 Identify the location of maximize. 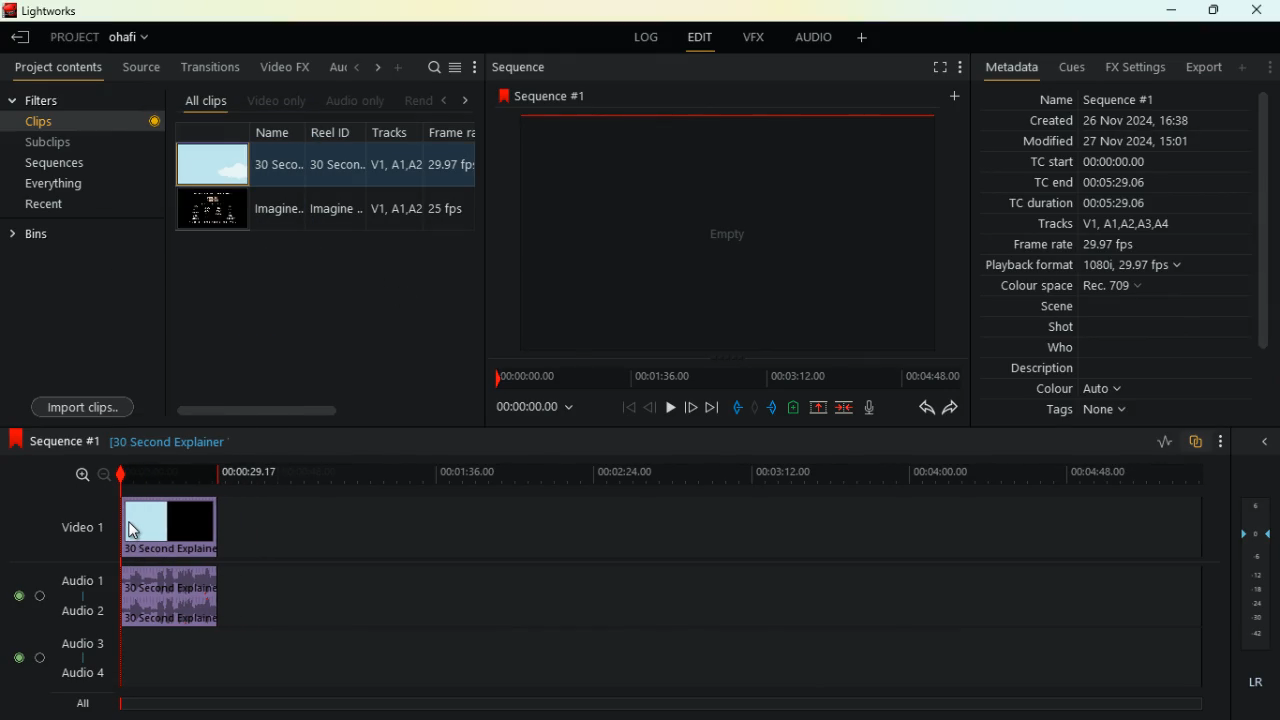
(1211, 11).